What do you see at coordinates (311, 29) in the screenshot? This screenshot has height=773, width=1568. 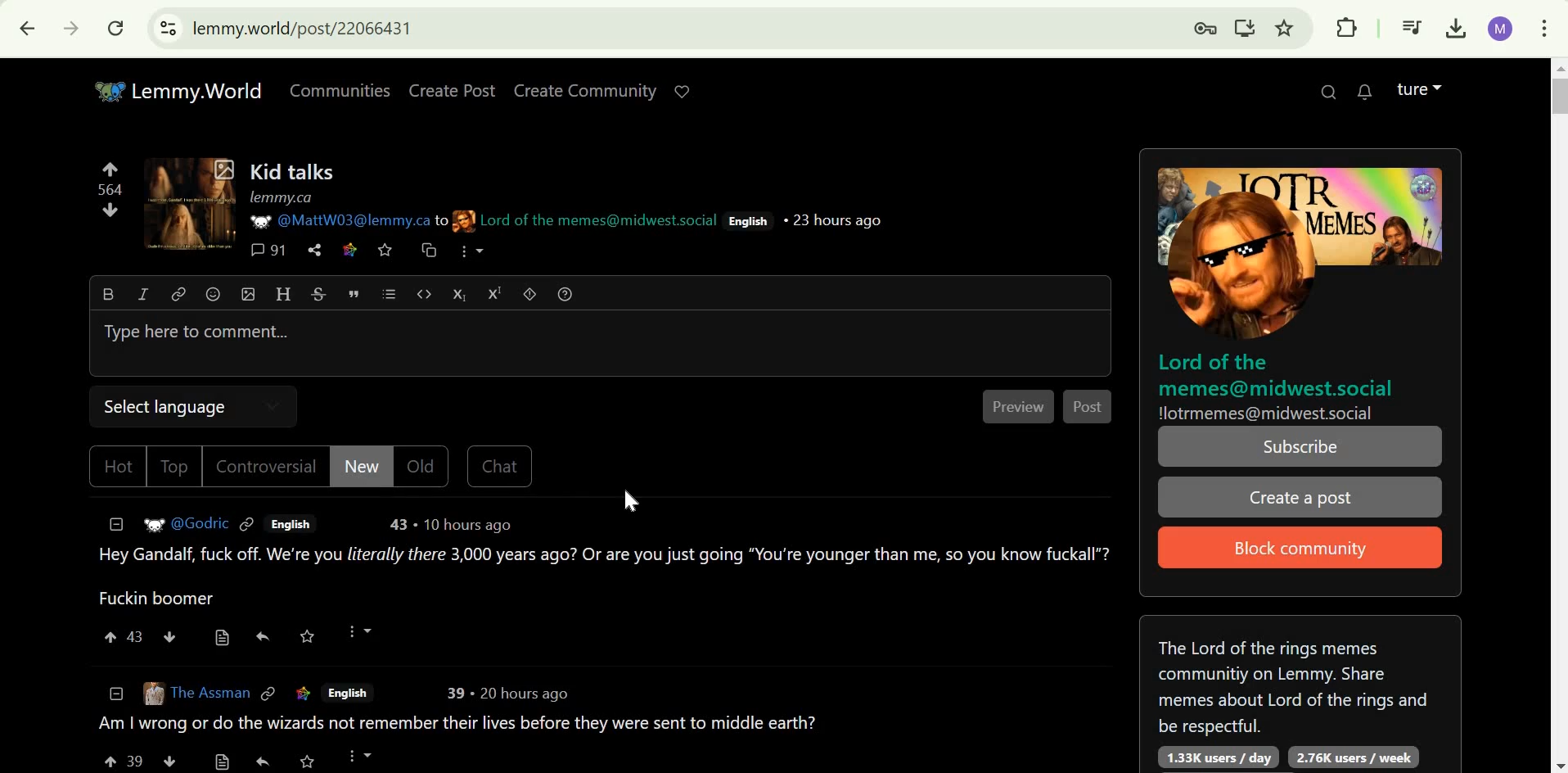 I see `lemmy.world/post/22066431` at bounding box center [311, 29].